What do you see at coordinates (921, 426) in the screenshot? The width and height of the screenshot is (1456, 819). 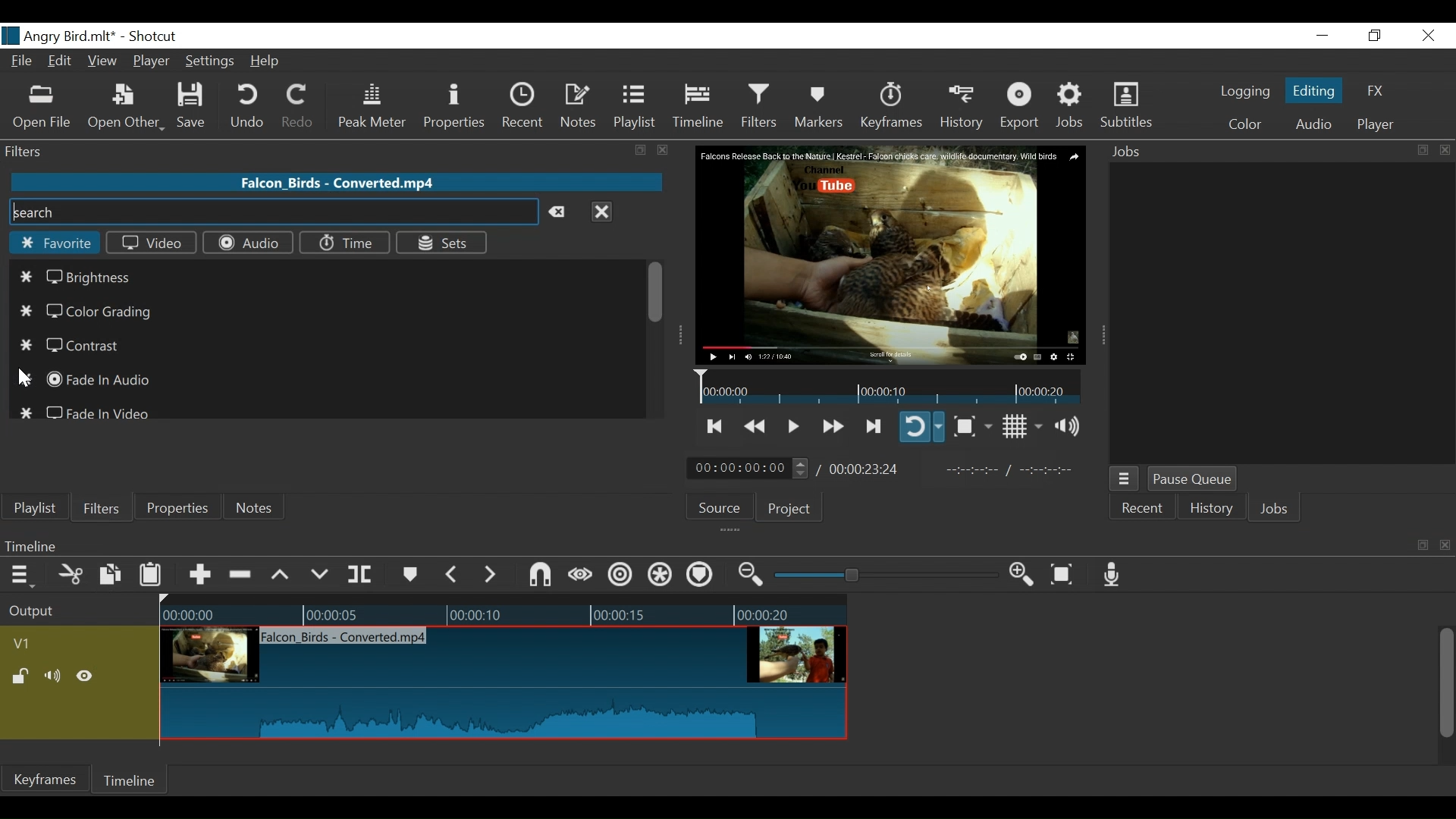 I see `Toggle player looping` at bounding box center [921, 426].